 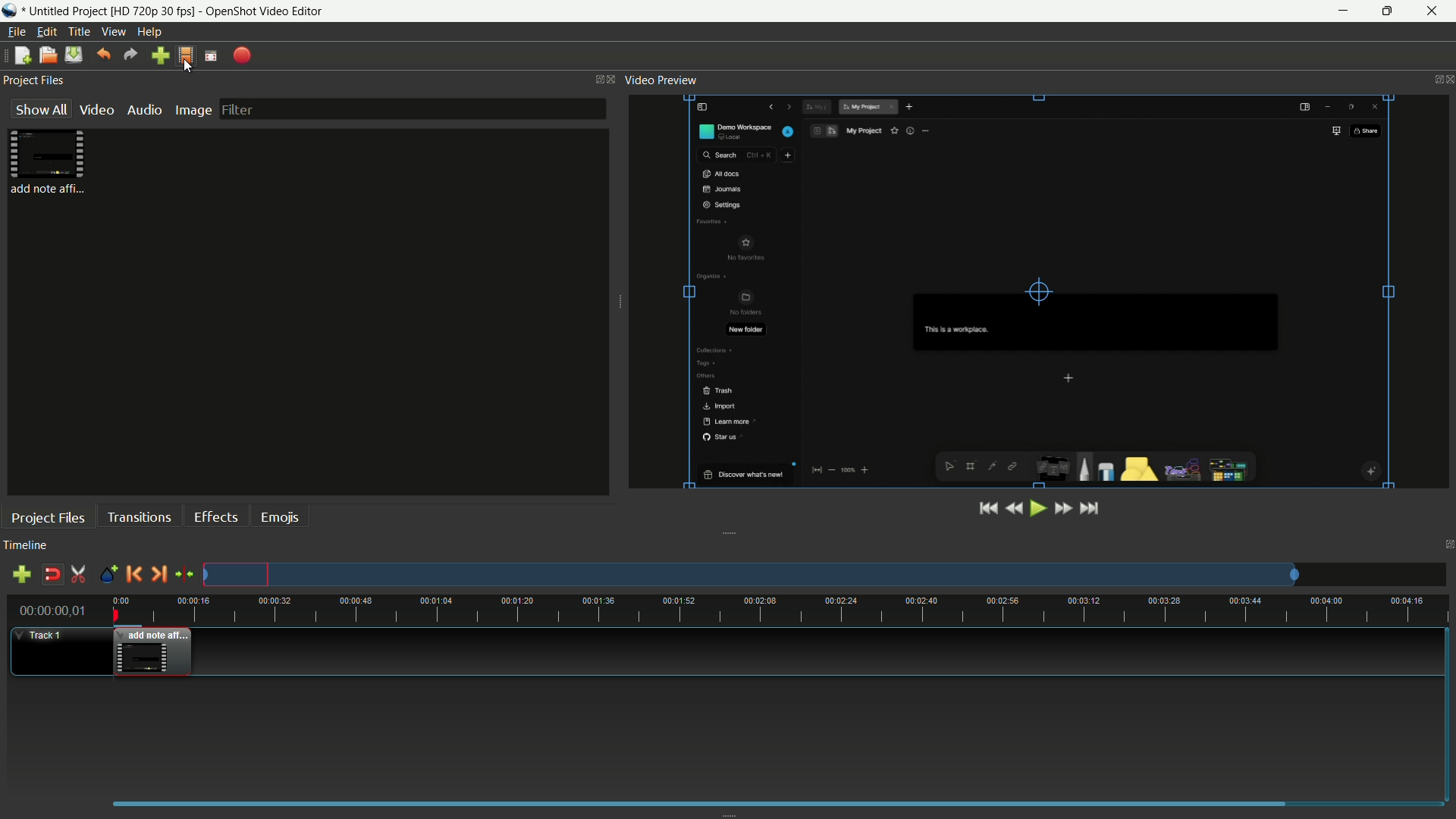 I want to click on project file, so click(x=51, y=162).